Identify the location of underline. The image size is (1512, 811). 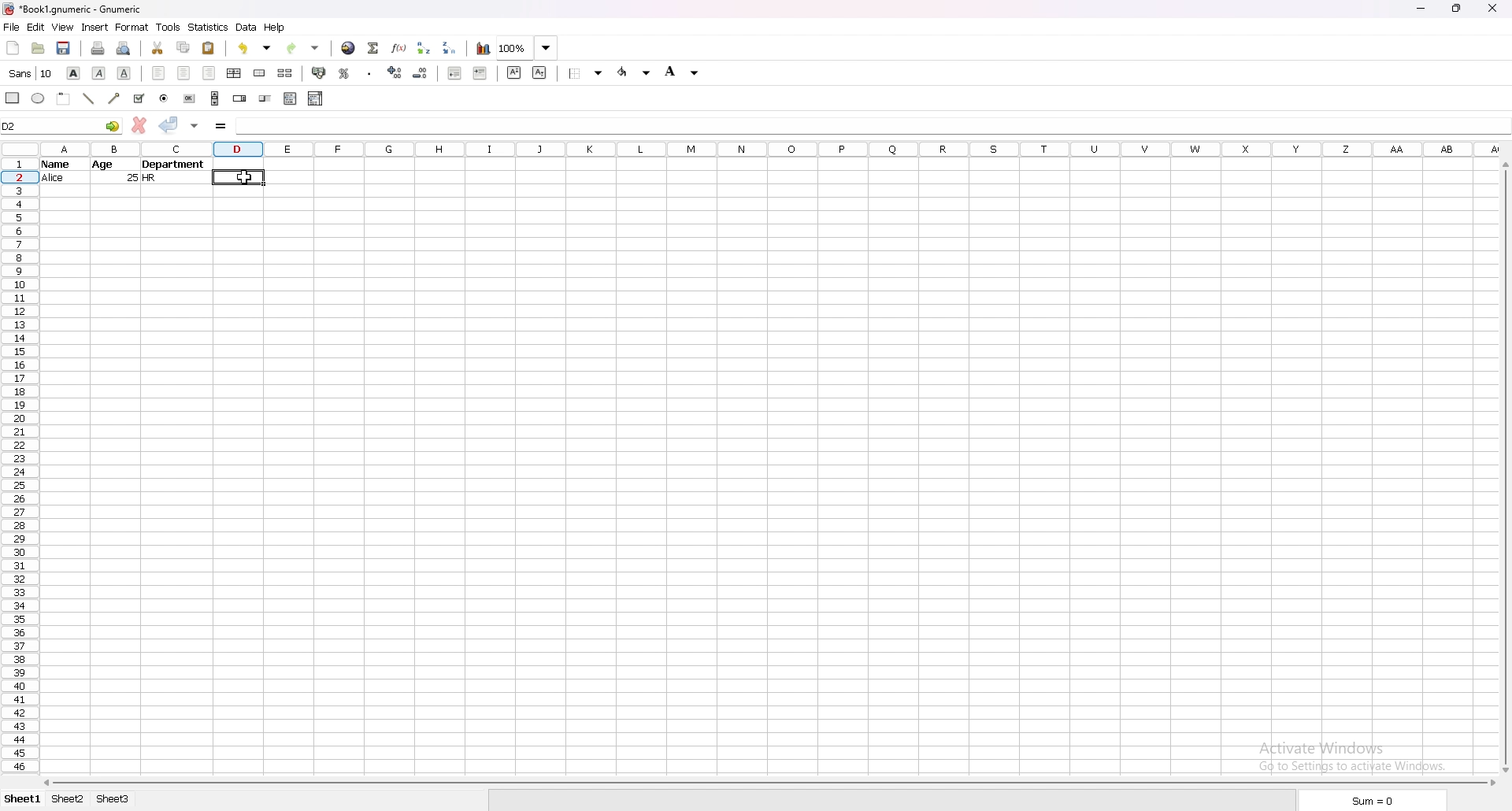
(125, 73).